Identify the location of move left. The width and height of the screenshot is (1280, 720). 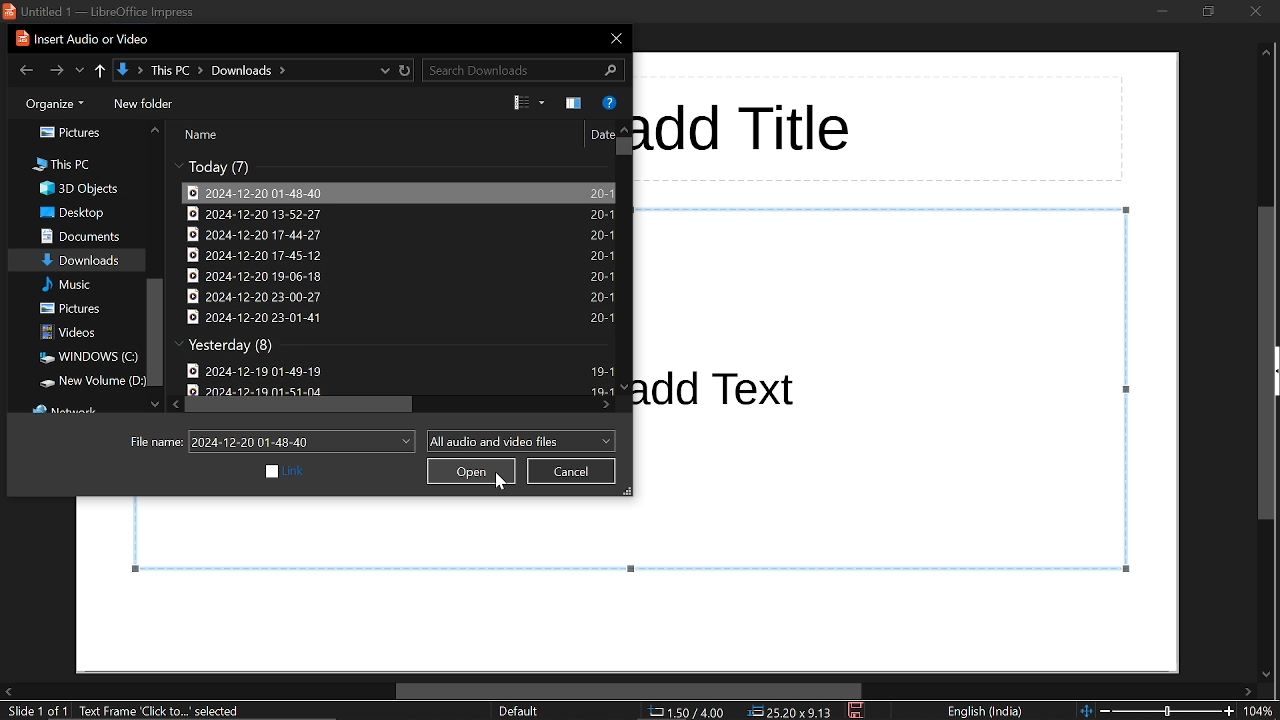
(8, 692).